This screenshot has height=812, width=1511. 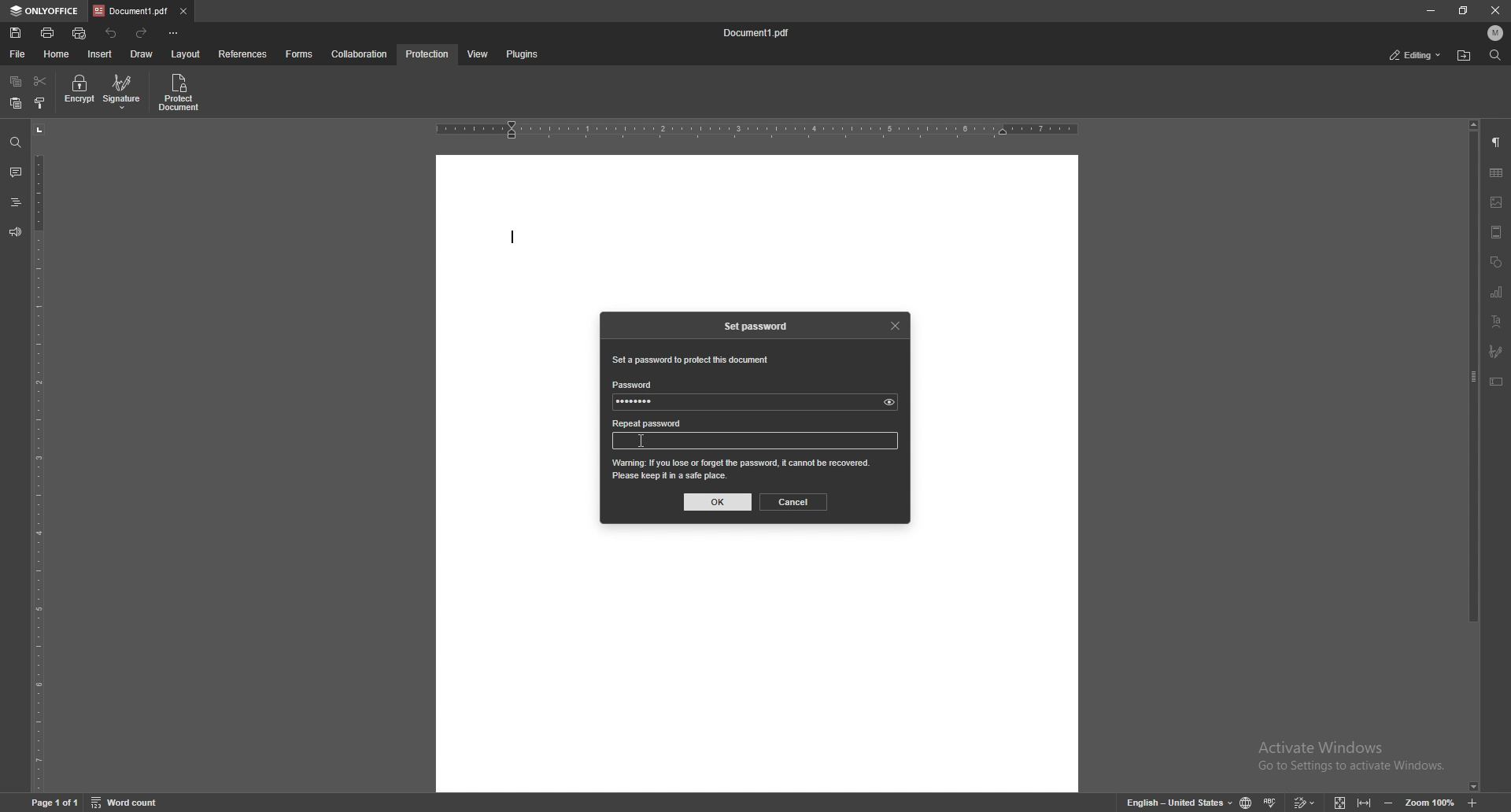 What do you see at coordinates (40, 102) in the screenshot?
I see `copy style` at bounding box center [40, 102].